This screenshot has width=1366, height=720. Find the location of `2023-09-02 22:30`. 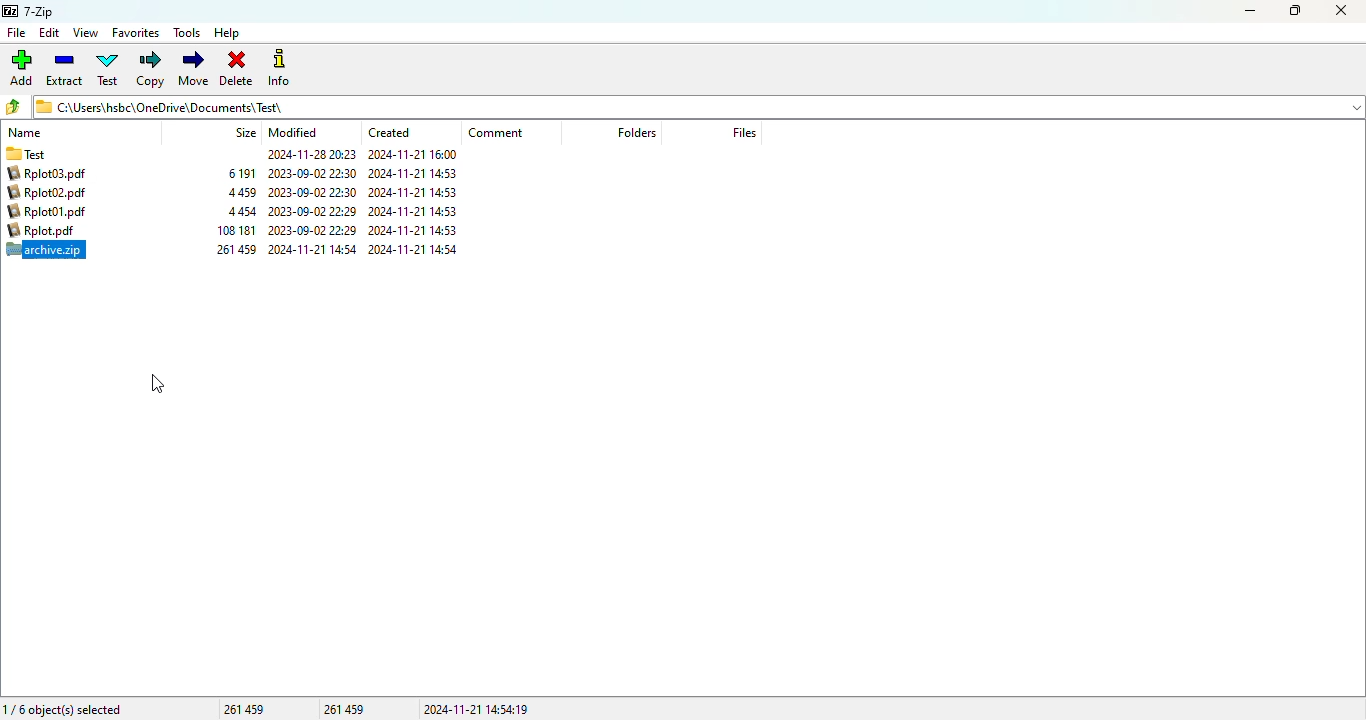

2023-09-02 22:30 is located at coordinates (313, 211).